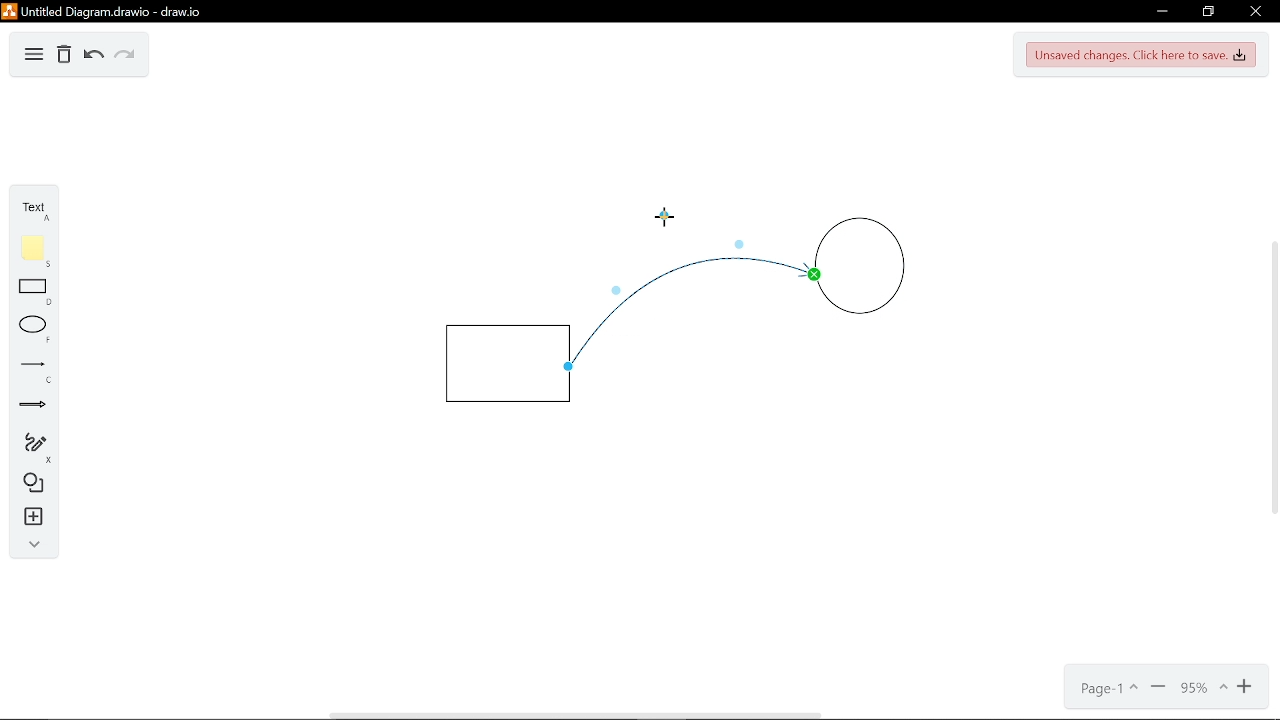  What do you see at coordinates (64, 56) in the screenshot?
I see `Delete` at bounding box center [64, 56].